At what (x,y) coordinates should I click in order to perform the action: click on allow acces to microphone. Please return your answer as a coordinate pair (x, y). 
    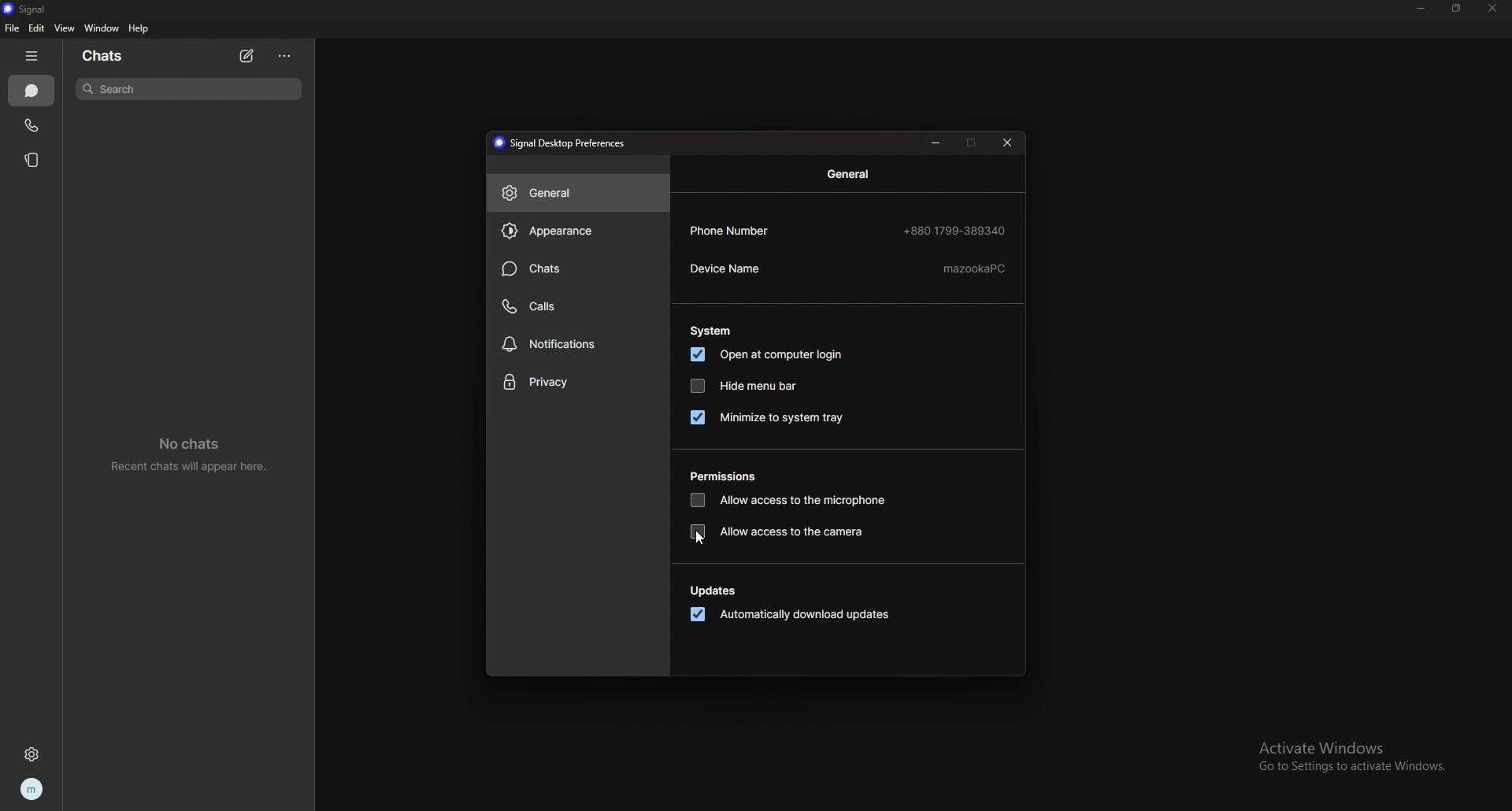
    Looking at the image, I should click on (791, 499).